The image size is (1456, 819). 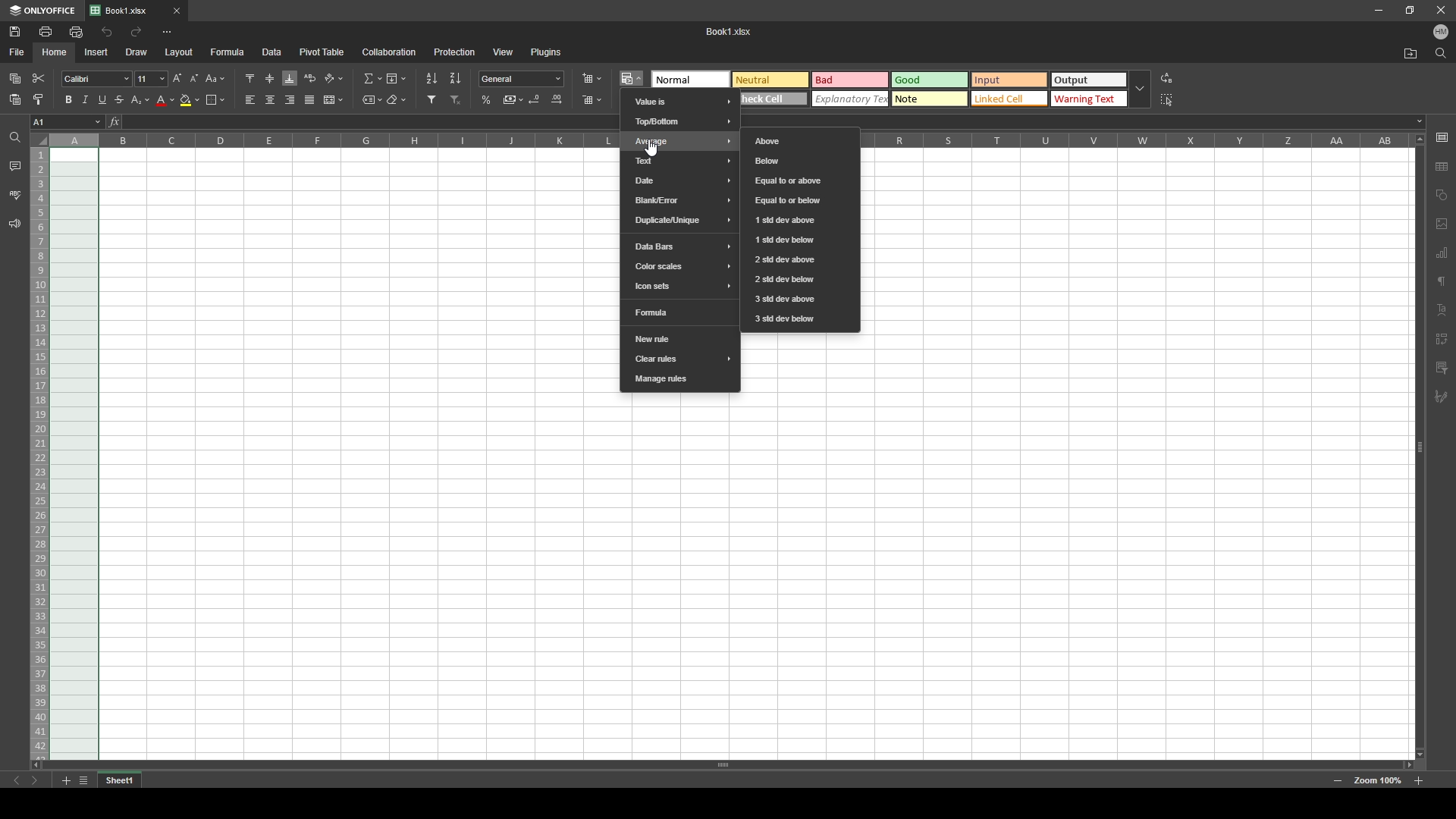 What do you see at coordinates (1441, 33) in the screenshot?
I see `profile` at bounding box center [1441, 33].